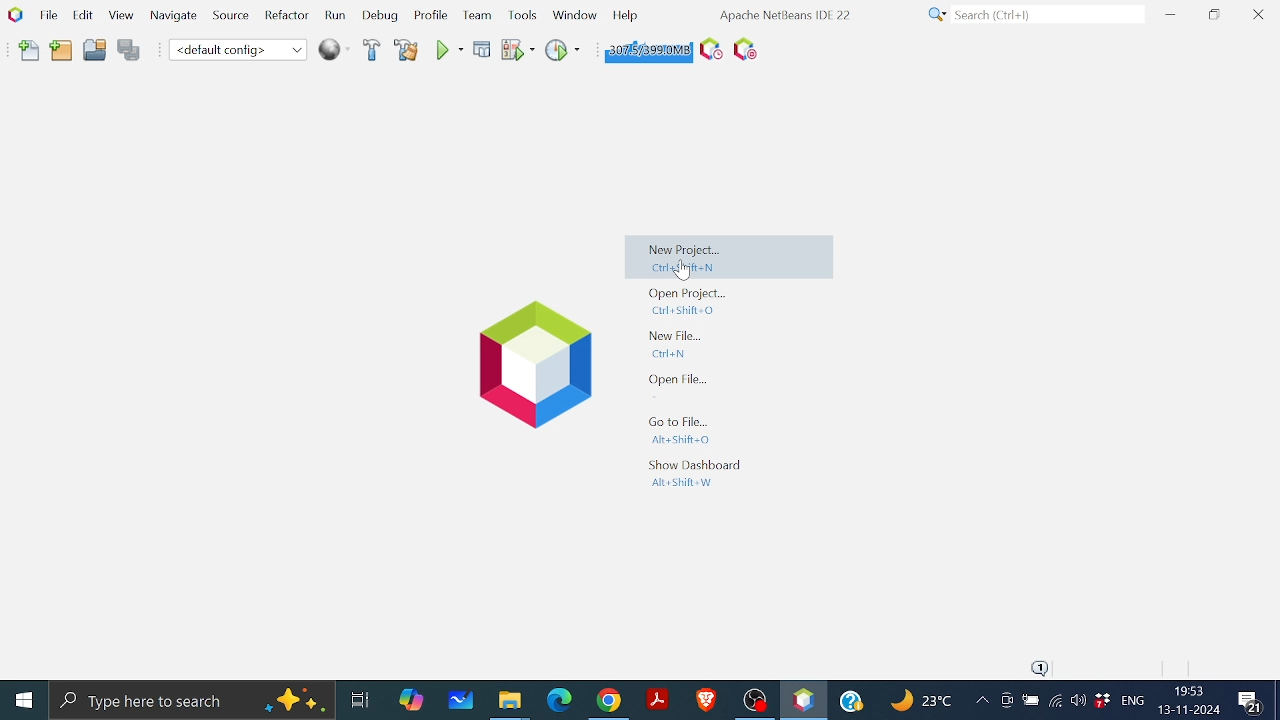 Image resolution: width=1280 pixels, height=720 pixels. Describe the element at coordinates (705, 699) in the screenshot. I see `Brave Browser` at that location.